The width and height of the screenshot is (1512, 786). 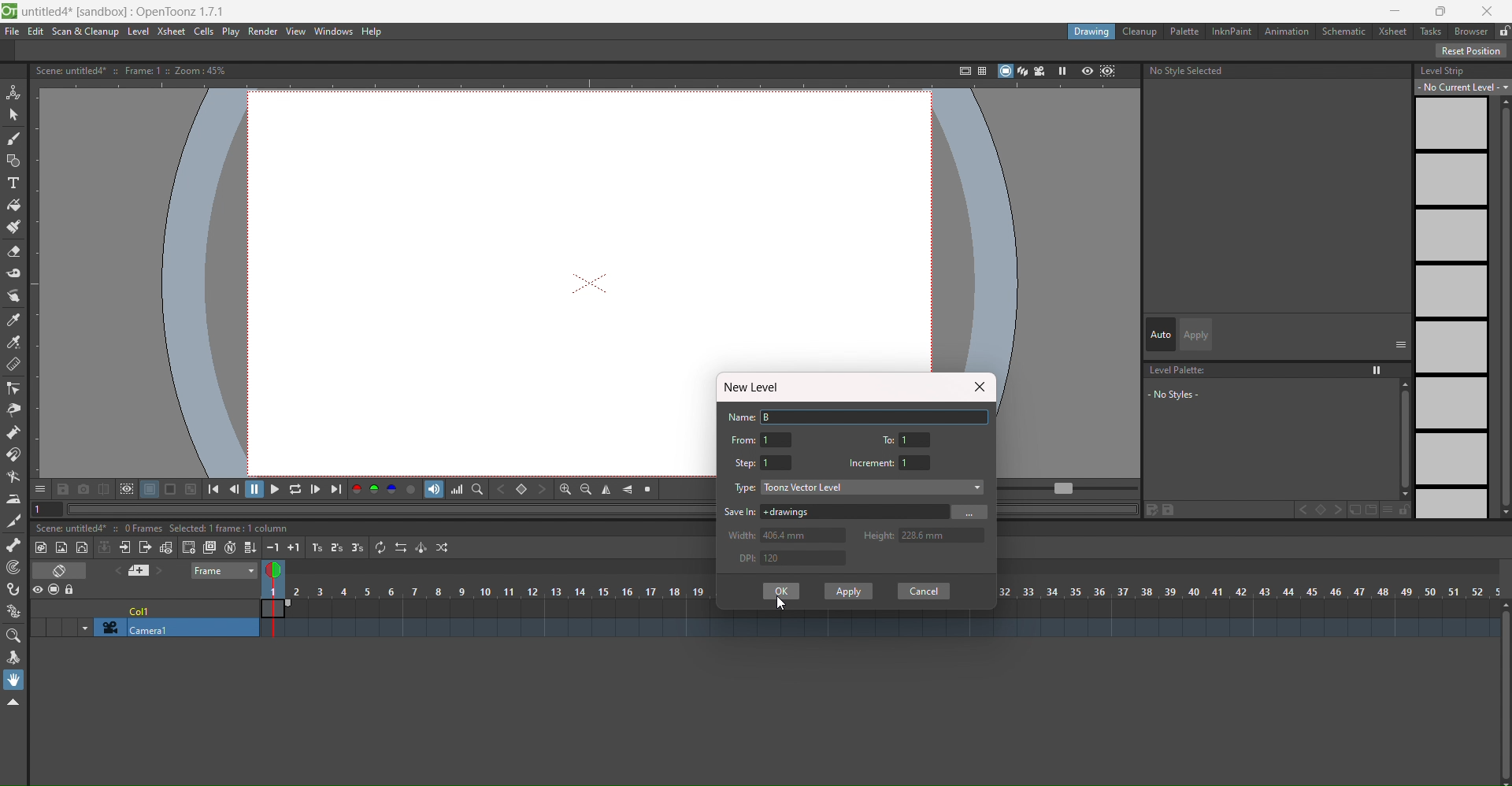 What do you see at coordinates (1320, 510) in the screenshot?
I see `set key` at bounding box center [1320, 510].